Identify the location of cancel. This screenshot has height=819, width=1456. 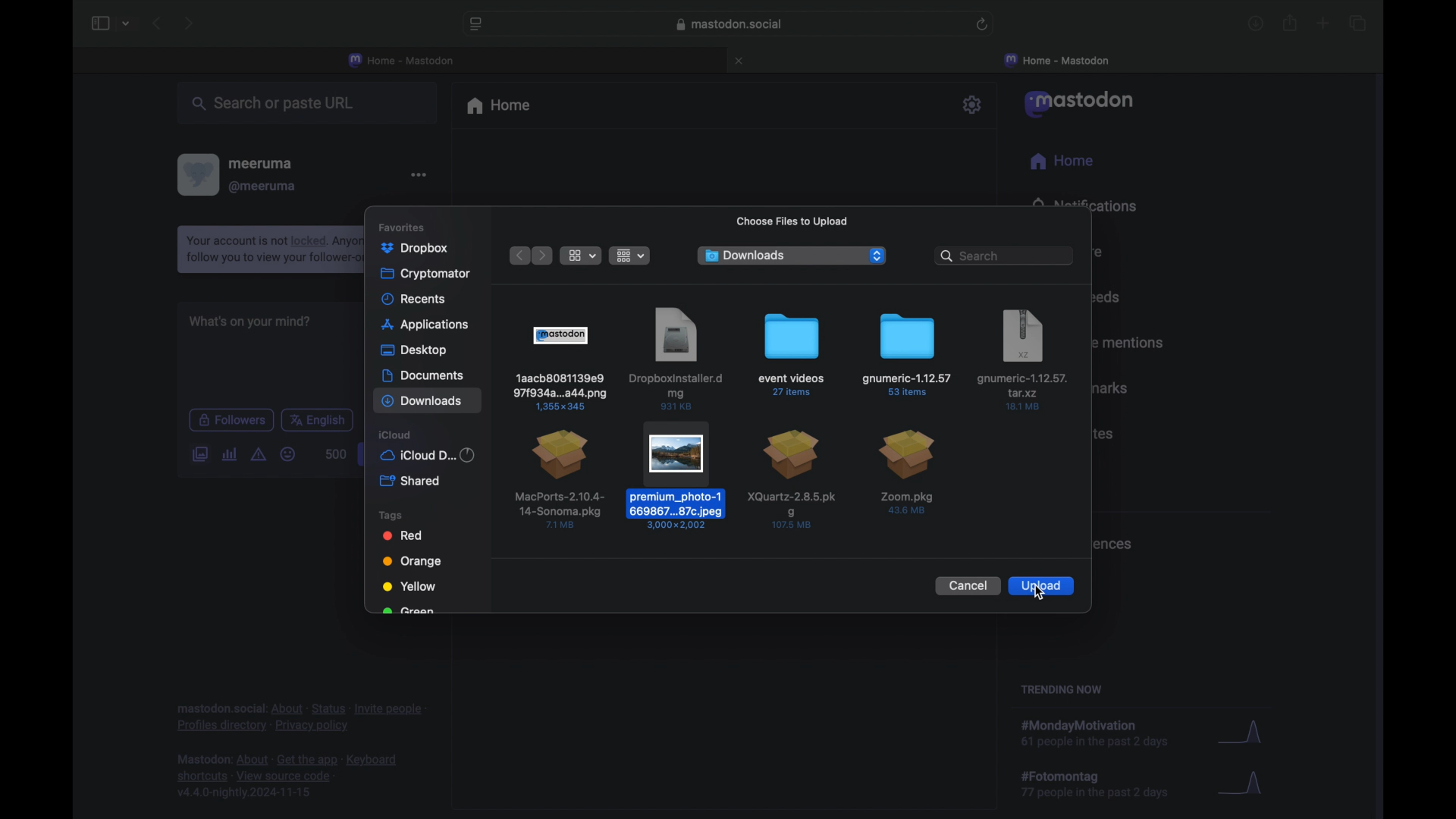
(968, 586).